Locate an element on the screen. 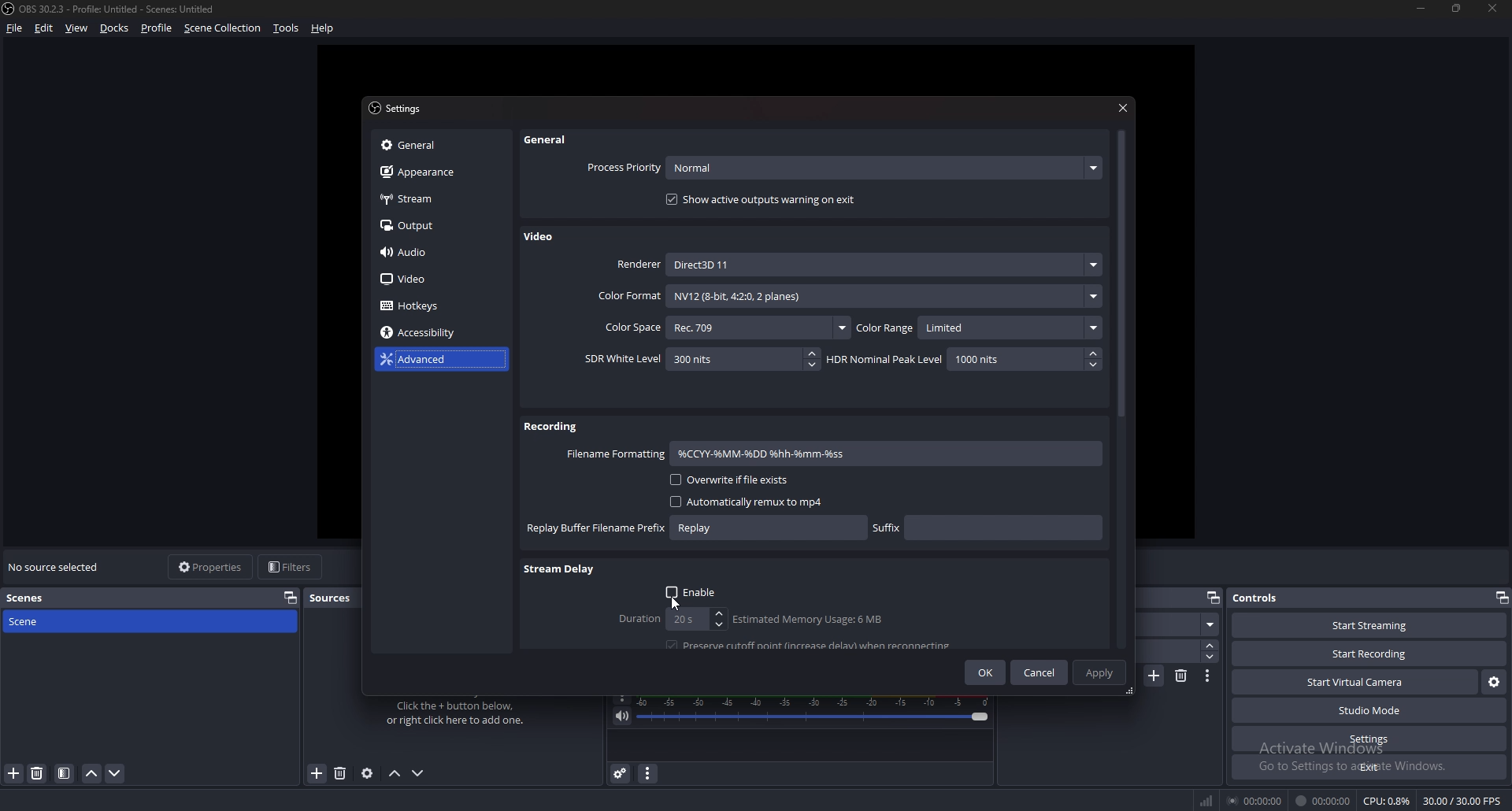 The height and width of the screenshot is (811, 1512). pop out is located at coordinates (1502, 597).